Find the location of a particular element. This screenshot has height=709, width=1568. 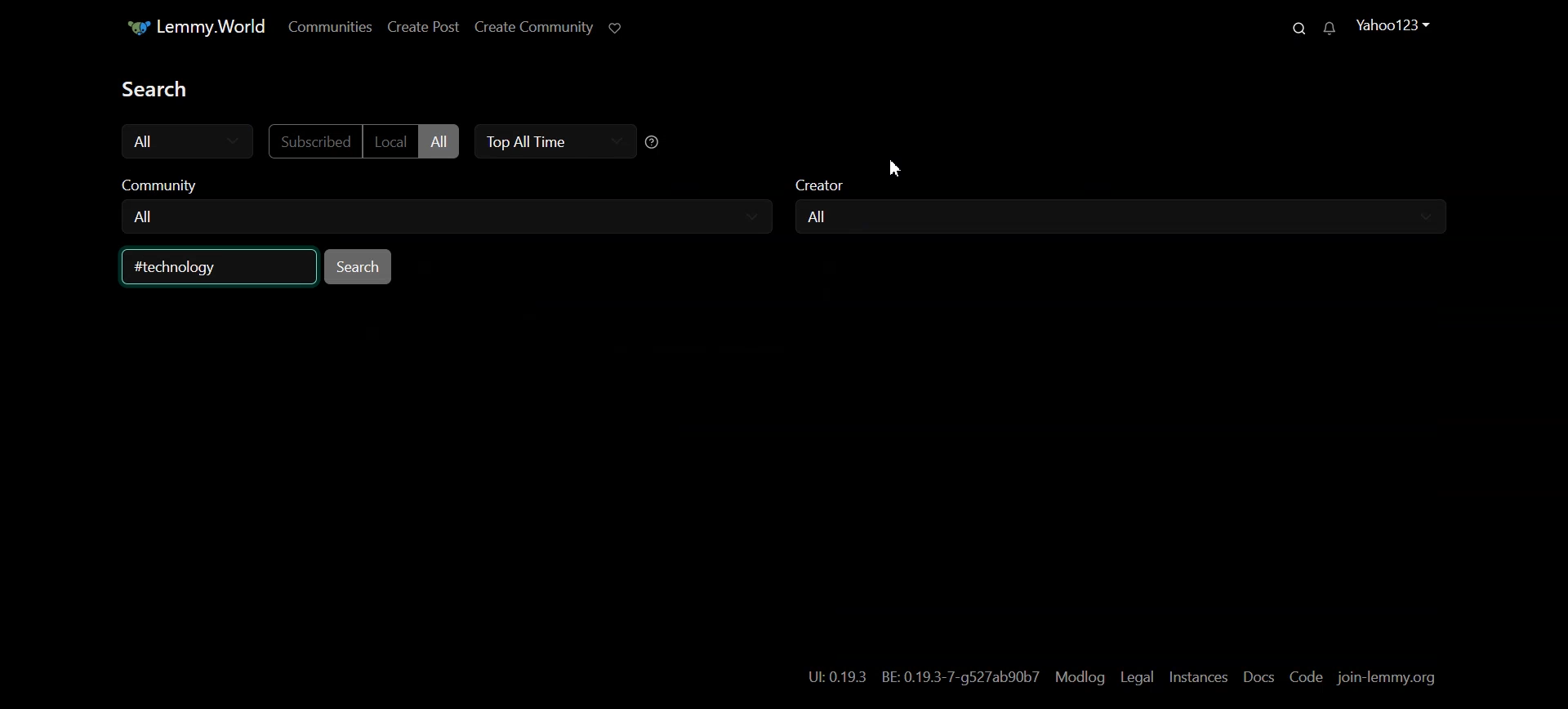

#technology is located at coordinates (187, 266).